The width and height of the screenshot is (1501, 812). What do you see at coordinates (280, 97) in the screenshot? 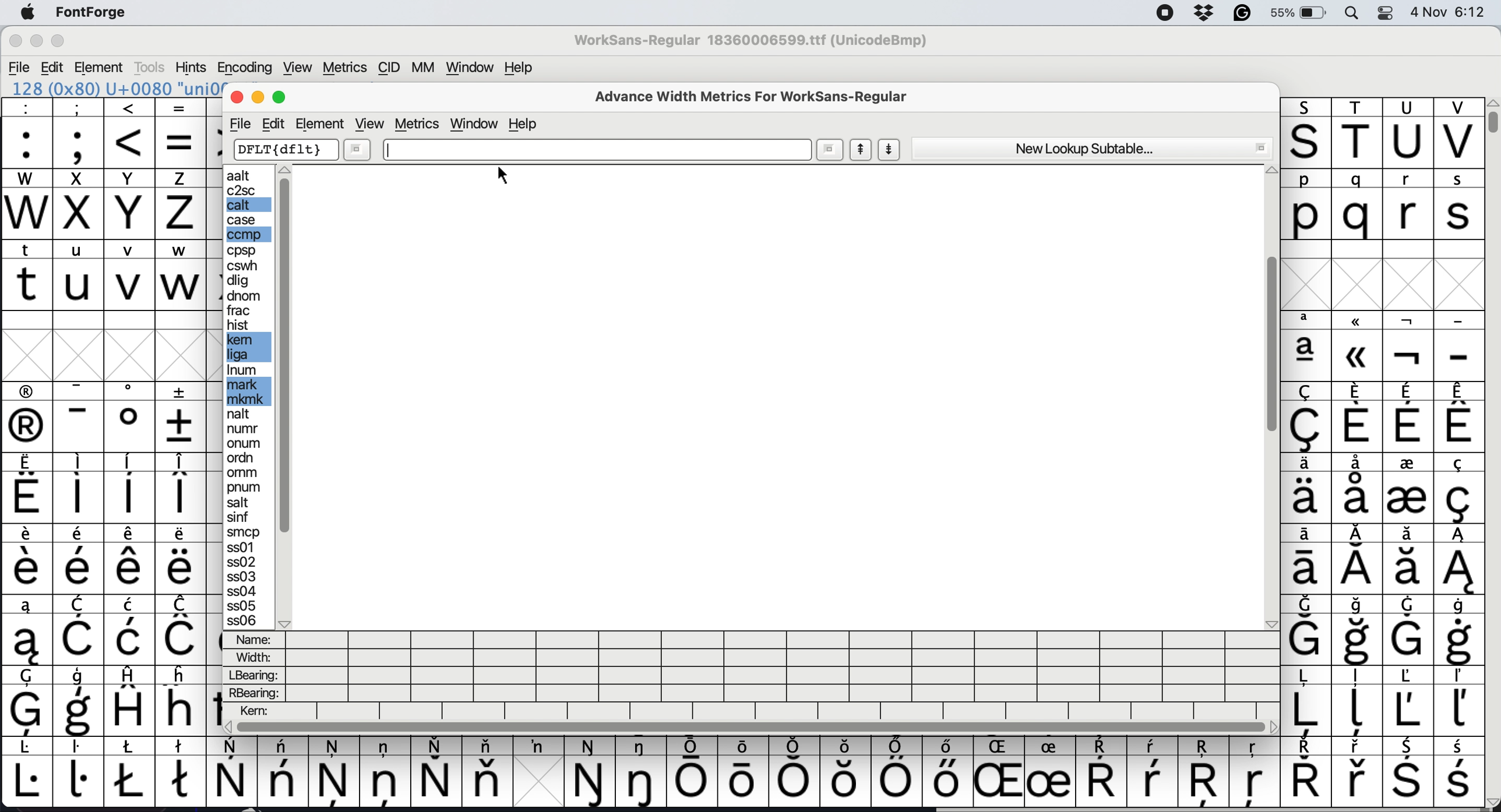
I see `maximise` at bounding box center [280, 97].